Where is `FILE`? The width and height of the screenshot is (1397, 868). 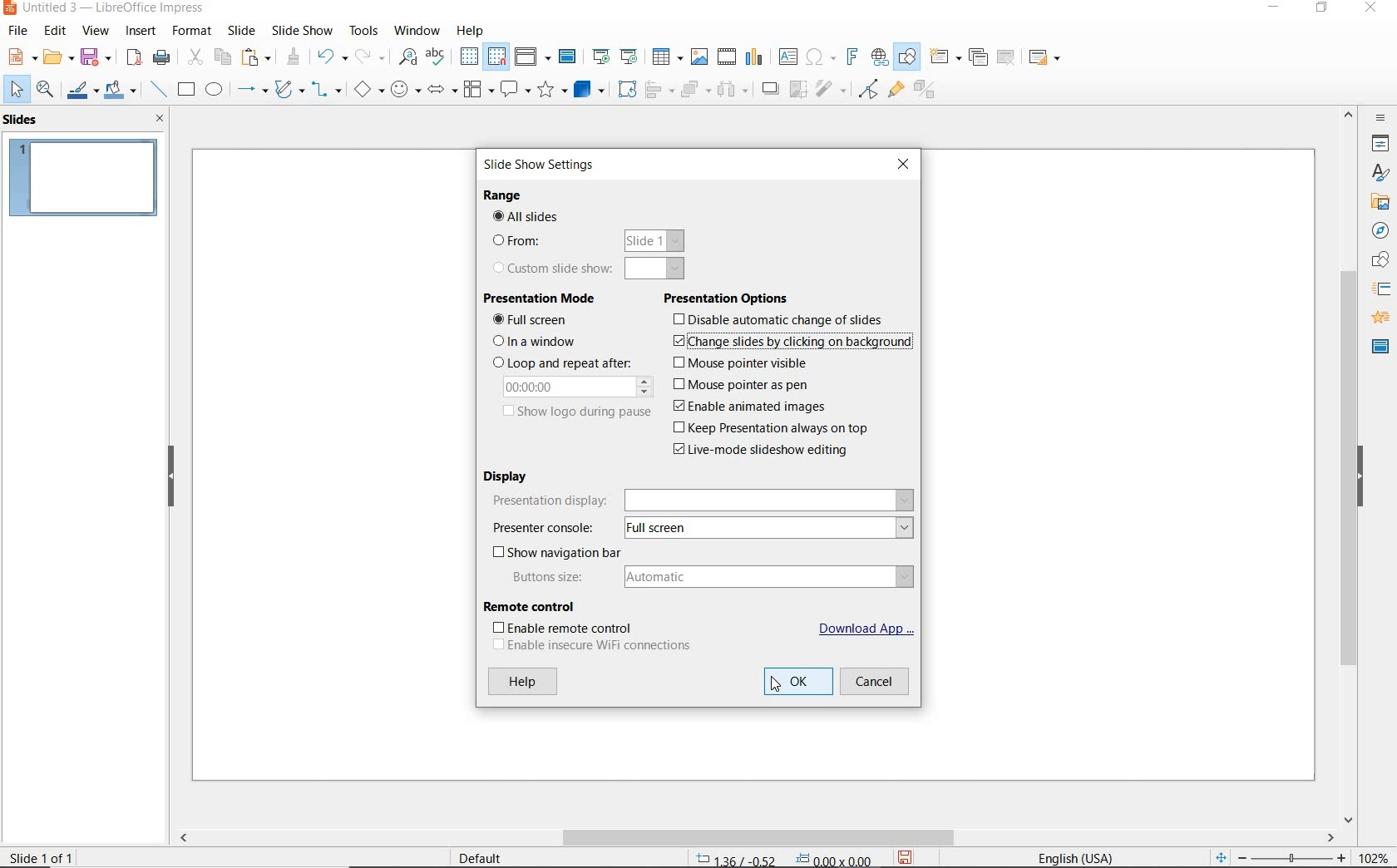
FILE is located at coordinates (15, 31).